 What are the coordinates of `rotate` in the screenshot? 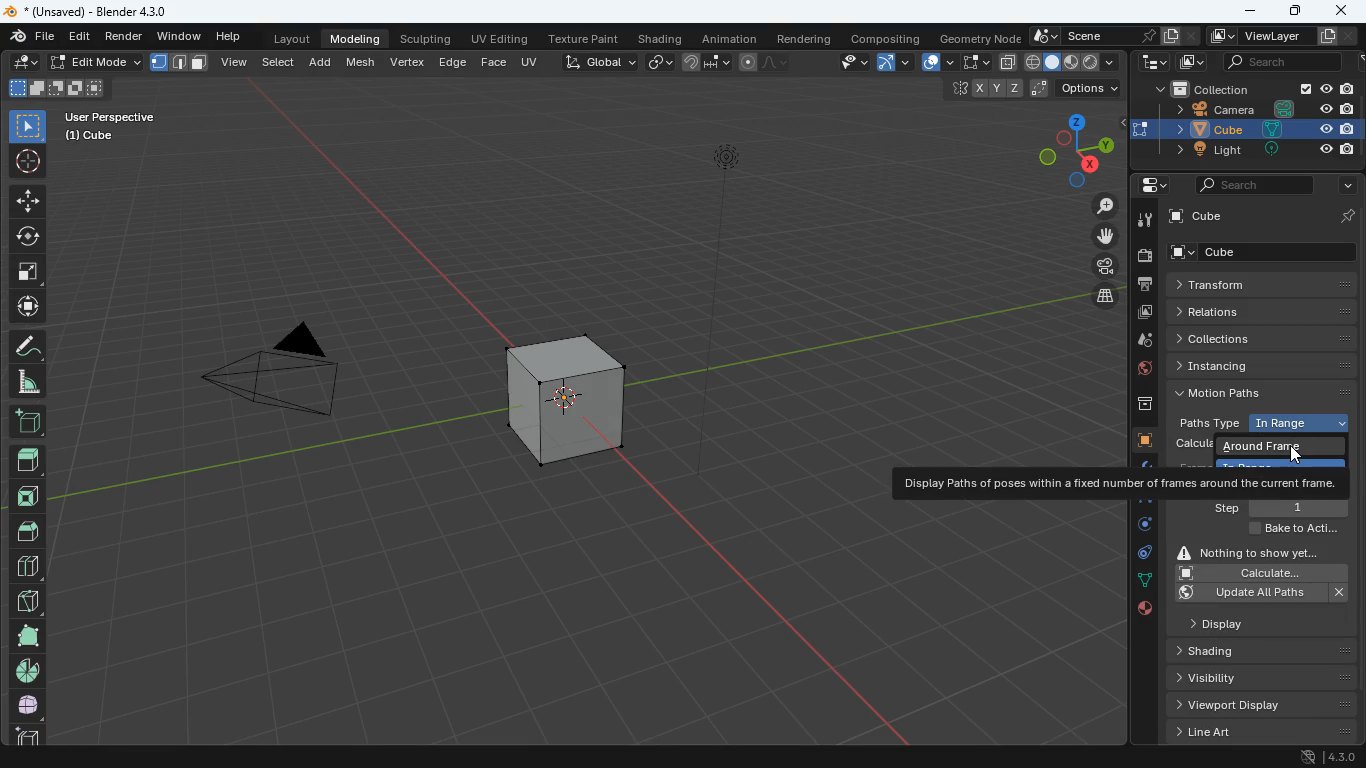 It's located at (28, 234).